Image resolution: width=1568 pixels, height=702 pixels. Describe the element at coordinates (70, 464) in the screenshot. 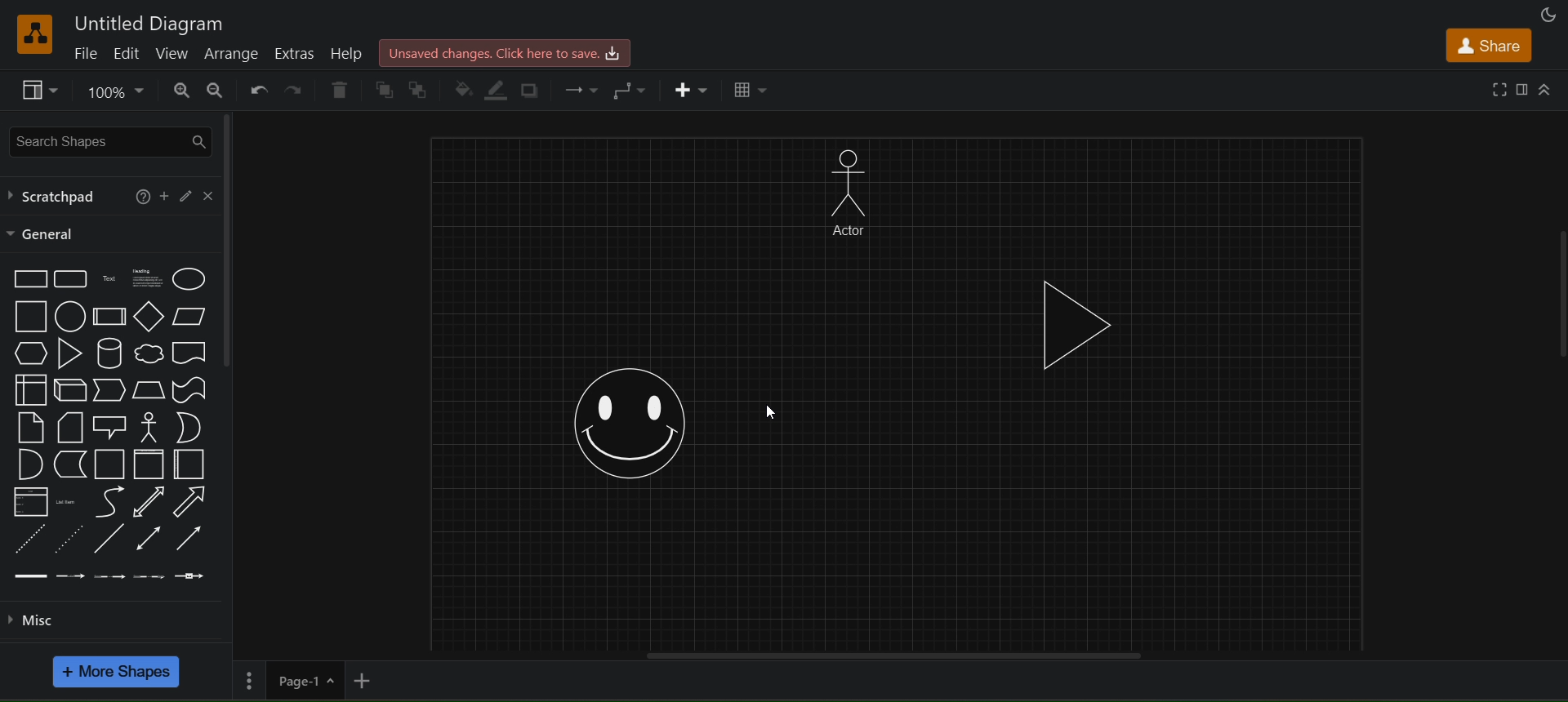

I see `data storage` at that location.